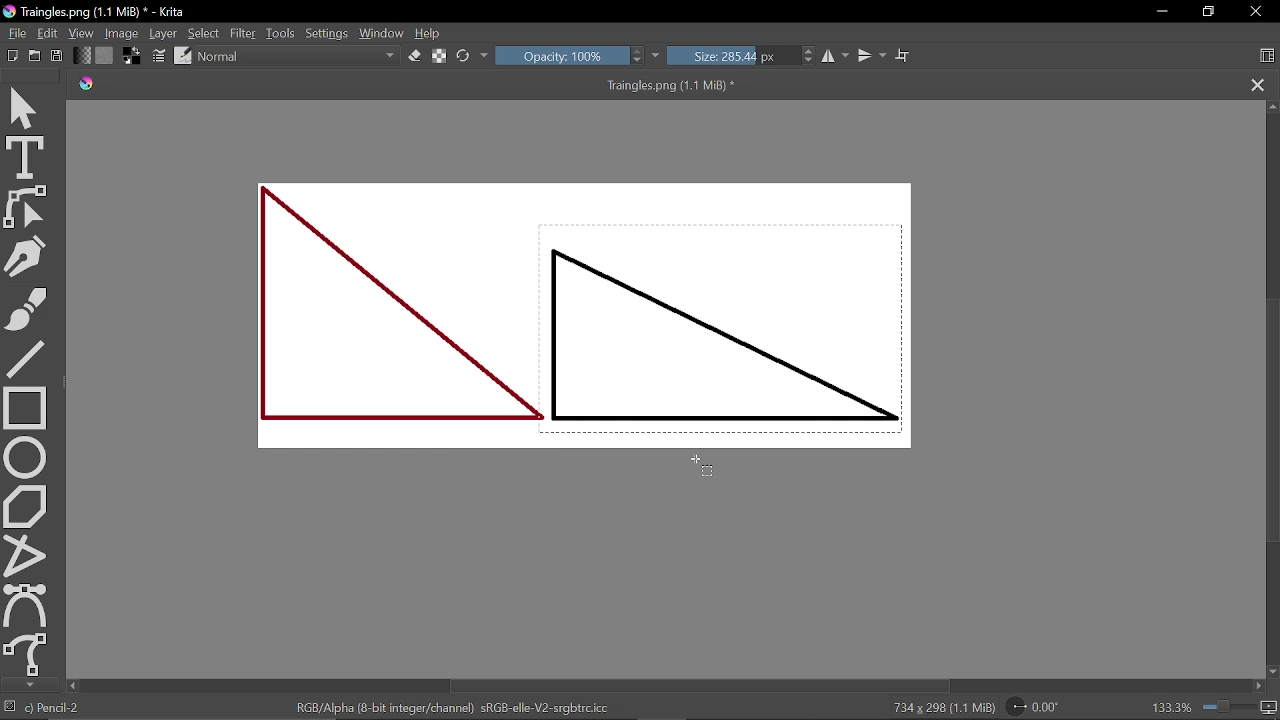 The image size is (1280, 720). What do you see at coordinates (580, 317) in the screenshot?
I see `Two triangles` at bounding box center [580, 317].